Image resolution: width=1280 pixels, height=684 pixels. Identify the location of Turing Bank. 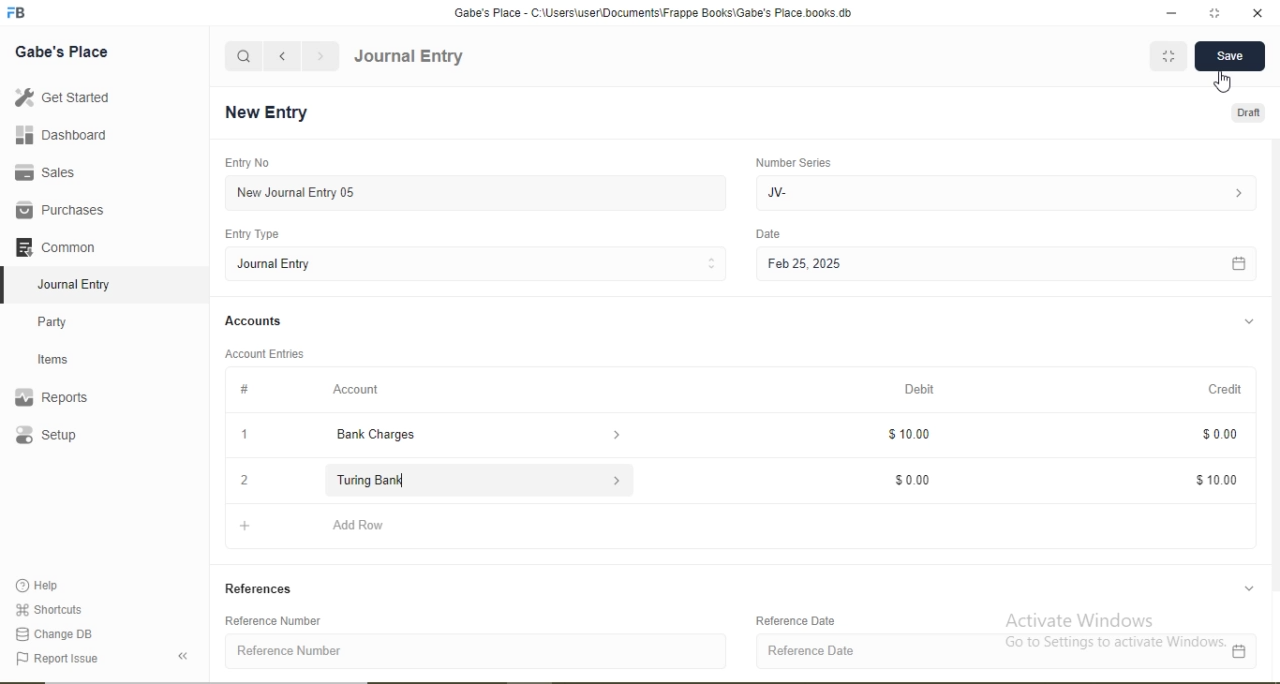
(470, 481).